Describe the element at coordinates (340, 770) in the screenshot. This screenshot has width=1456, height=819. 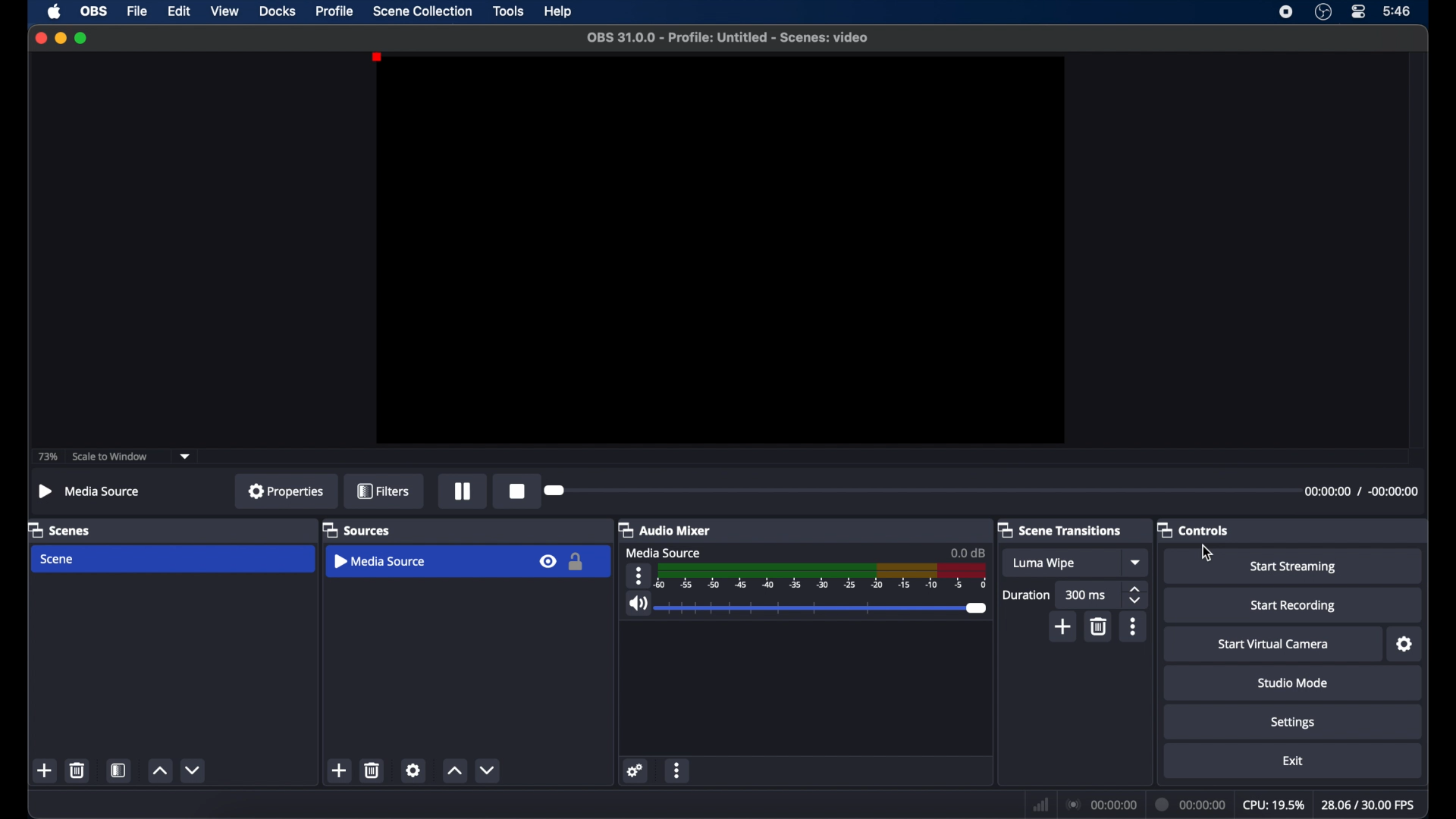
I see `add` at that location.